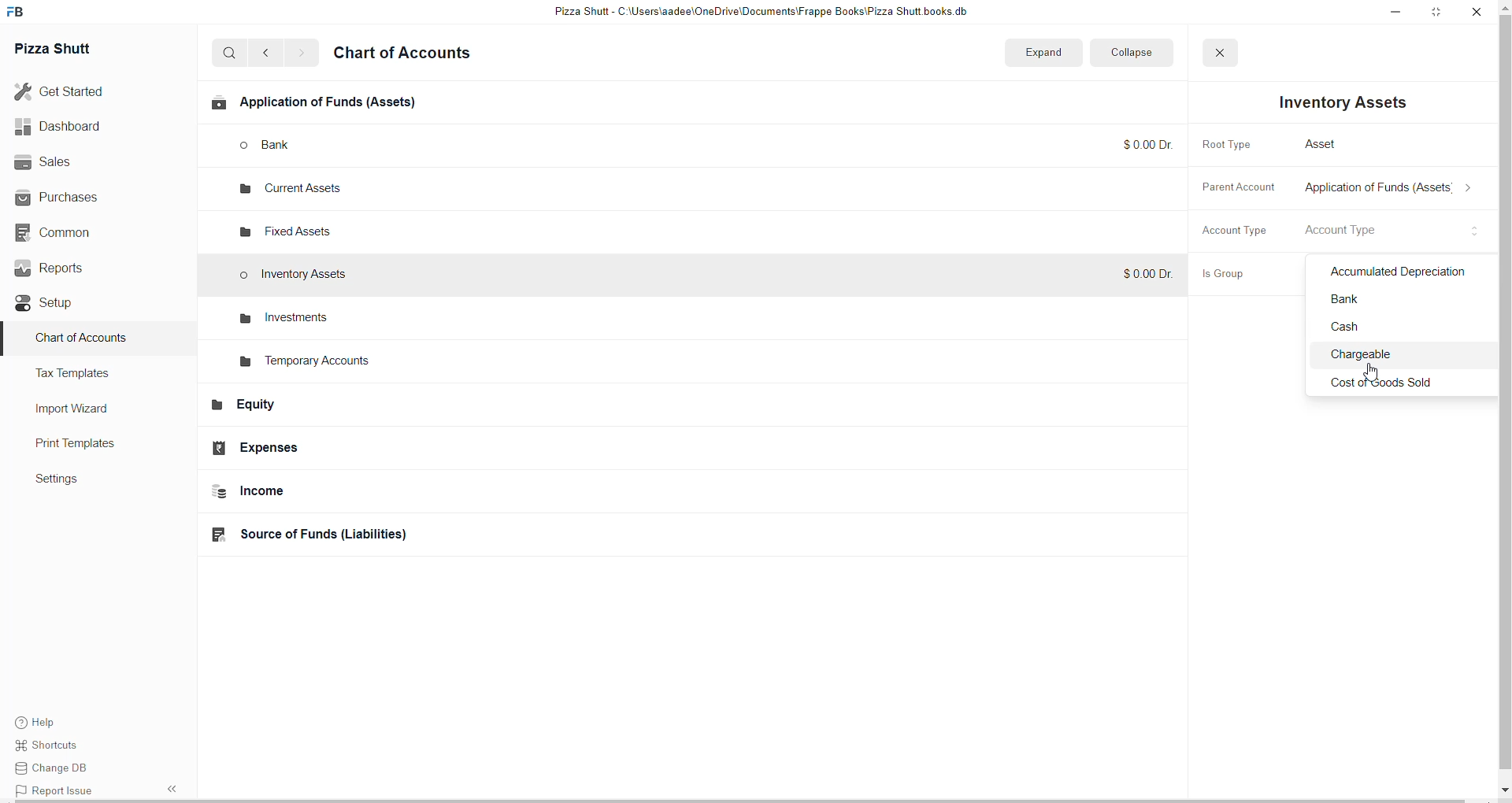 Image resolution: width=1512 pixels, height=803 pixels. Describe the element at coordinates (269, 53) in the screenshot. I see `go back ` at that location.